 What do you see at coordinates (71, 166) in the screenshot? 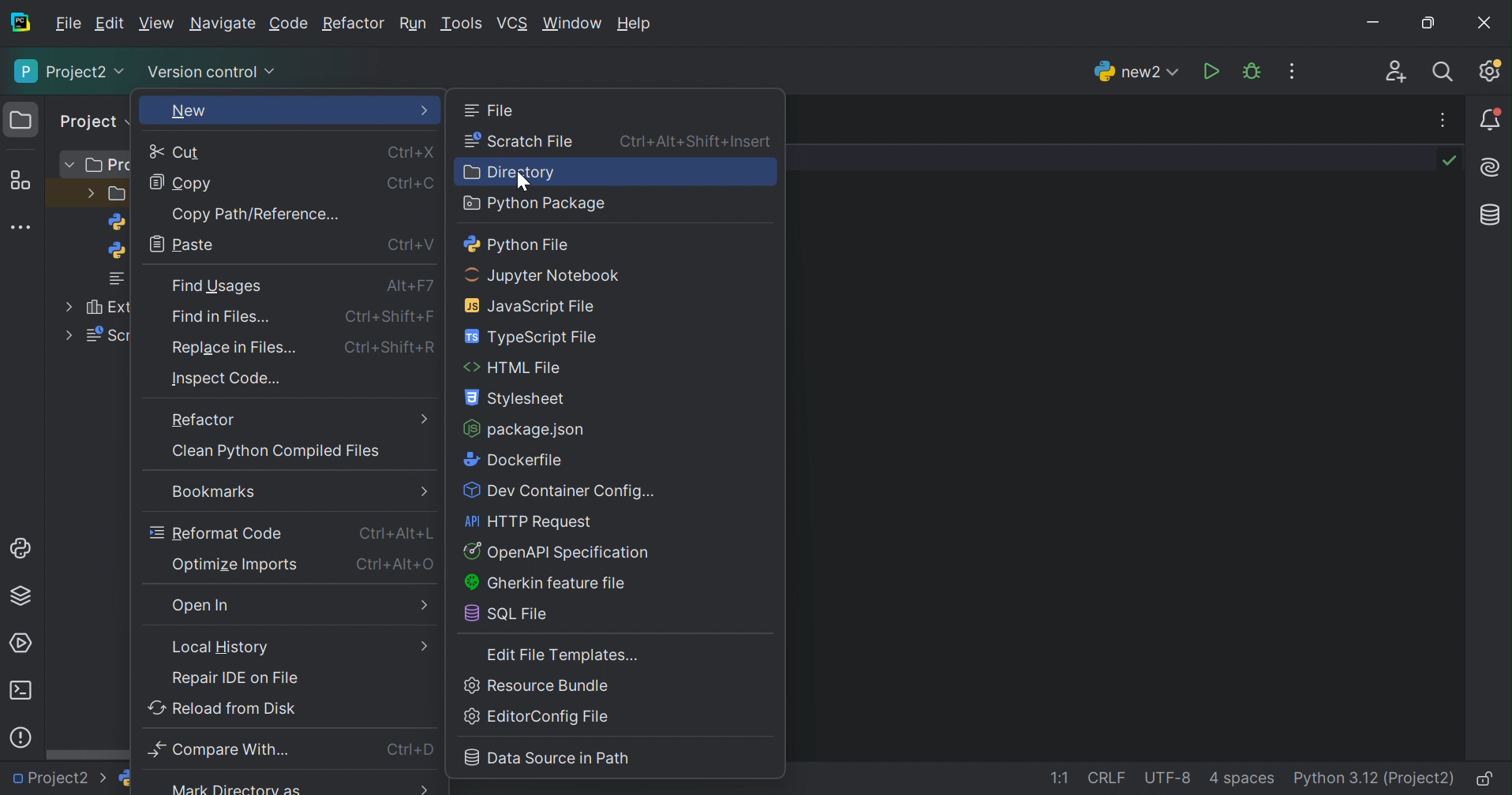
I see `More` at bounding box center [71, 166].